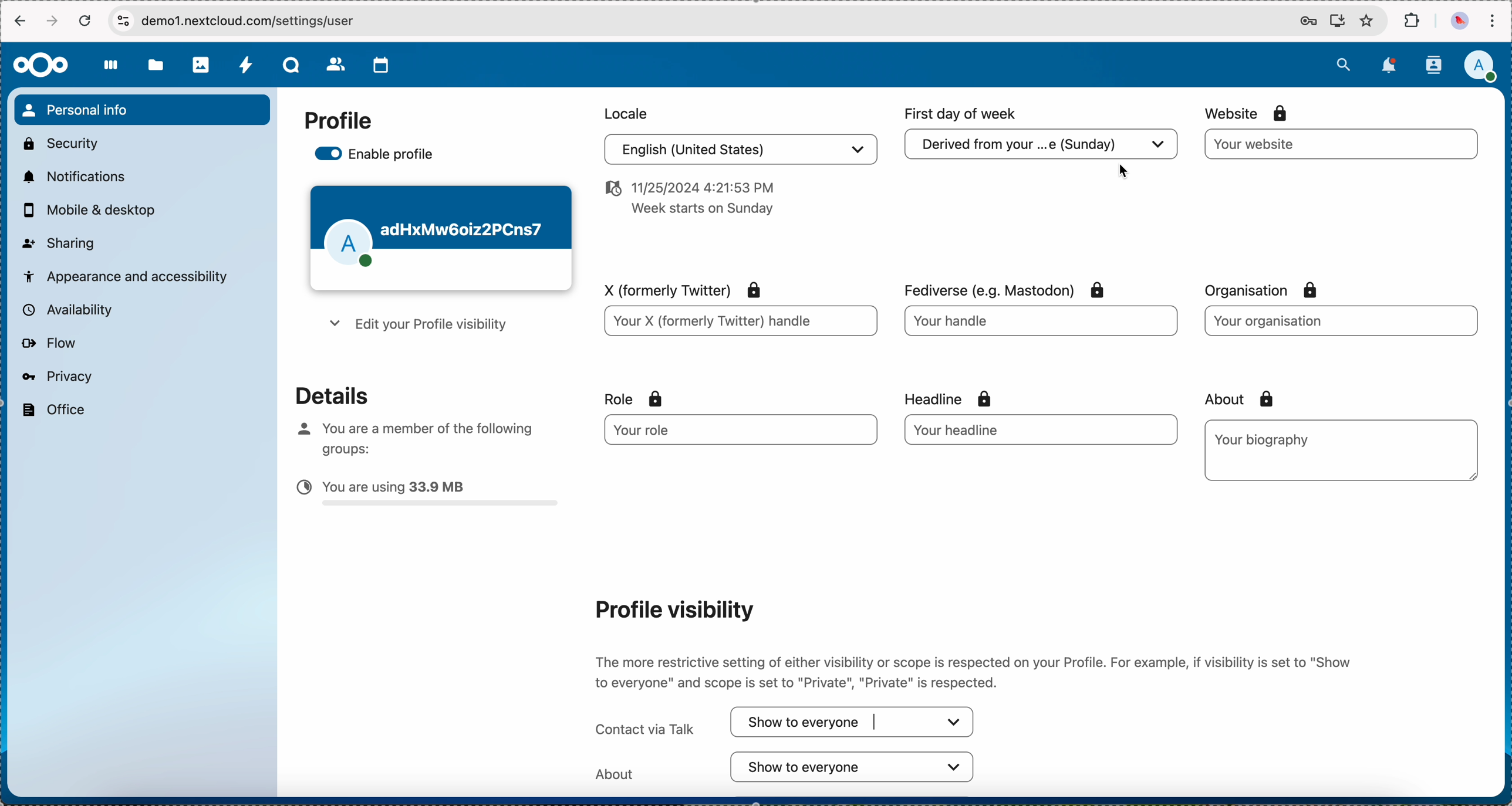 The image size is (1512, 806). Describe the element at coordinates (52, 410) in the screenshot. I see `office` at that location.